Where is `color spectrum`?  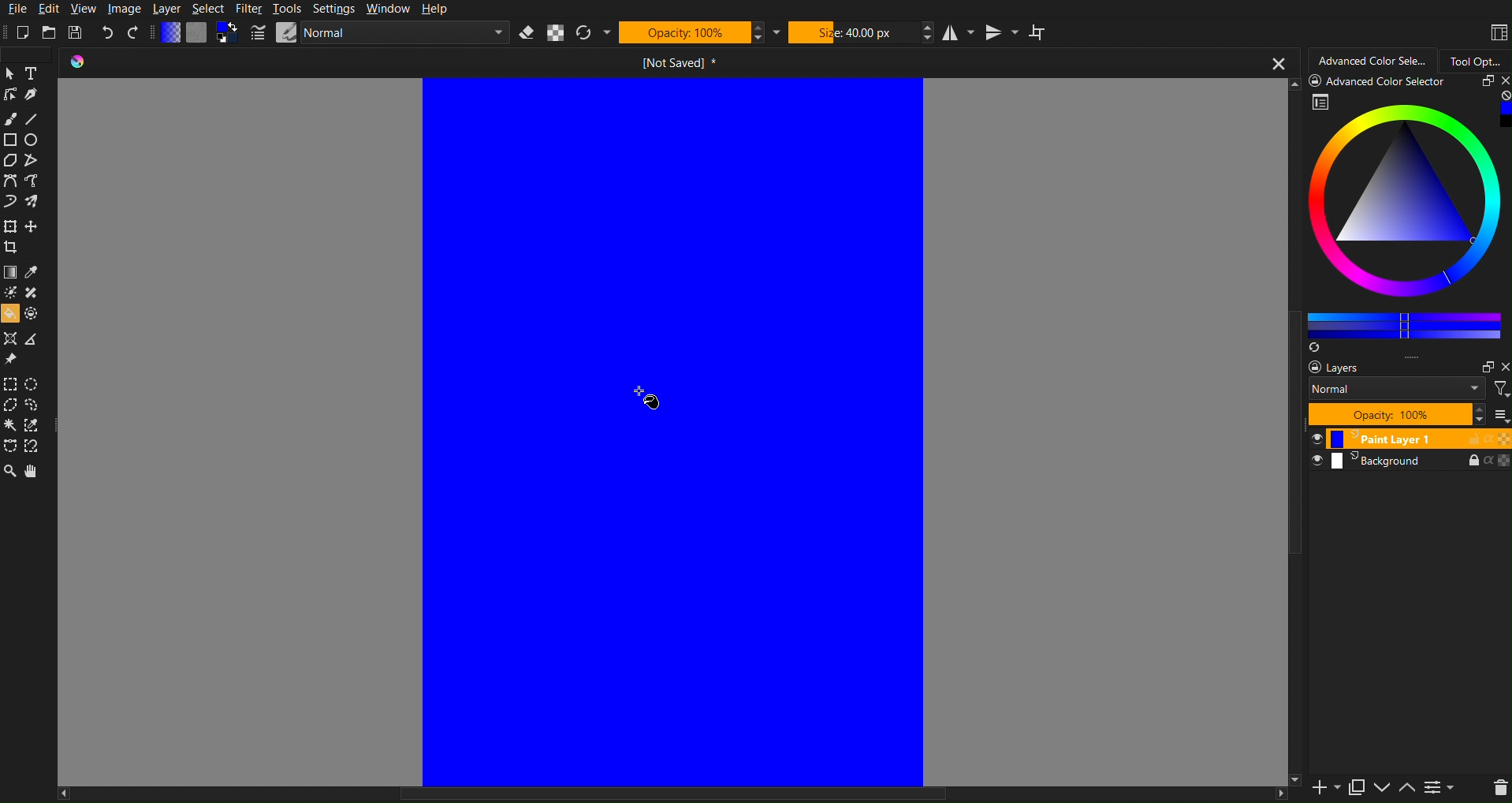
color spectrum is located at coordinates (1407, 207).